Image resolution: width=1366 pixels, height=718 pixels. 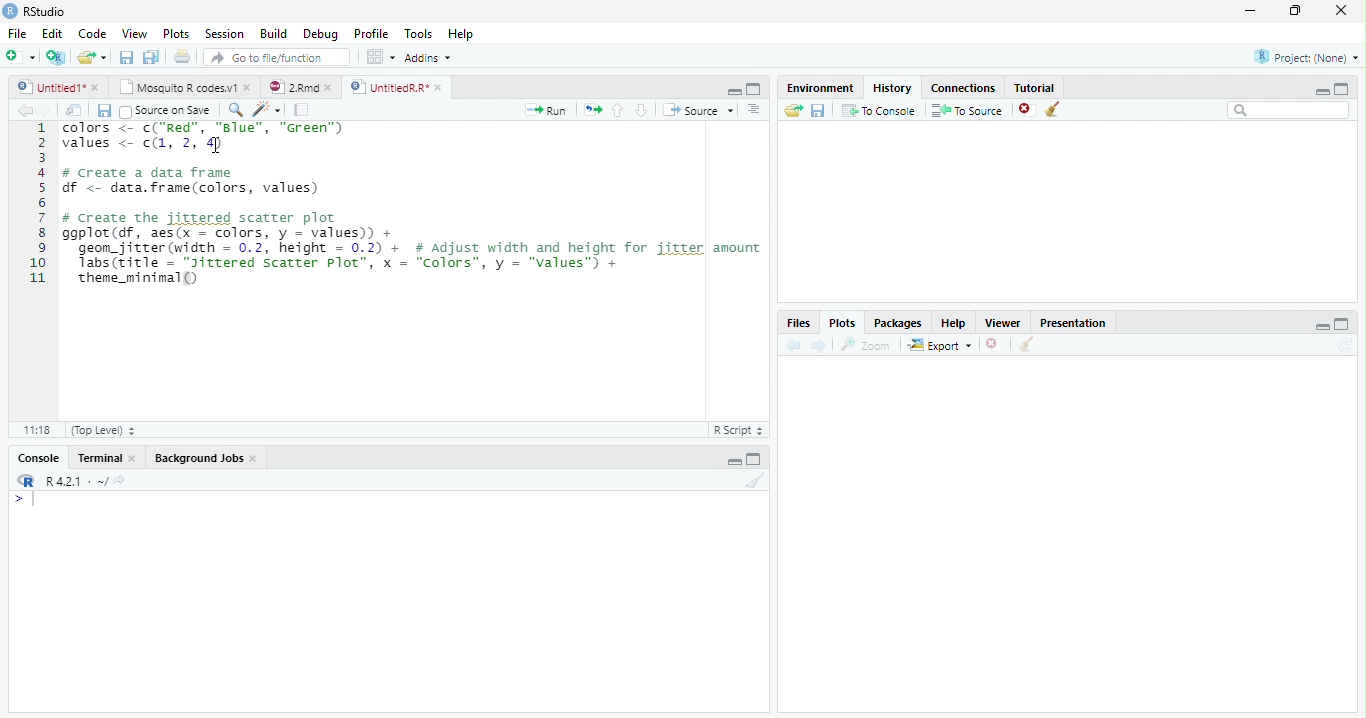 What do you see at coordinates (302, 111) in the screenshot?
I see `Compile Report` at bounding box center [302, 111].